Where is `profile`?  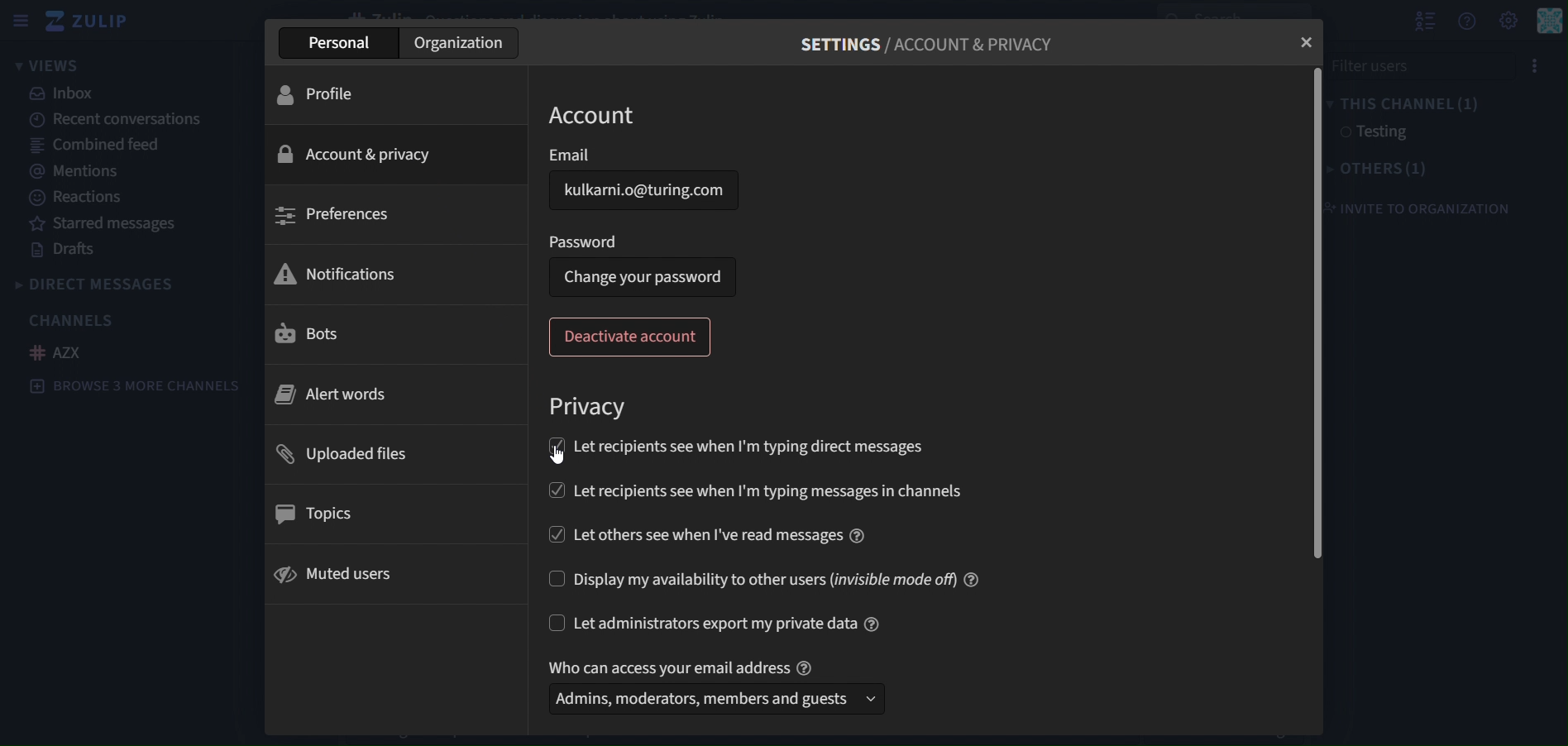 profile is located at coordinates (333, 97).